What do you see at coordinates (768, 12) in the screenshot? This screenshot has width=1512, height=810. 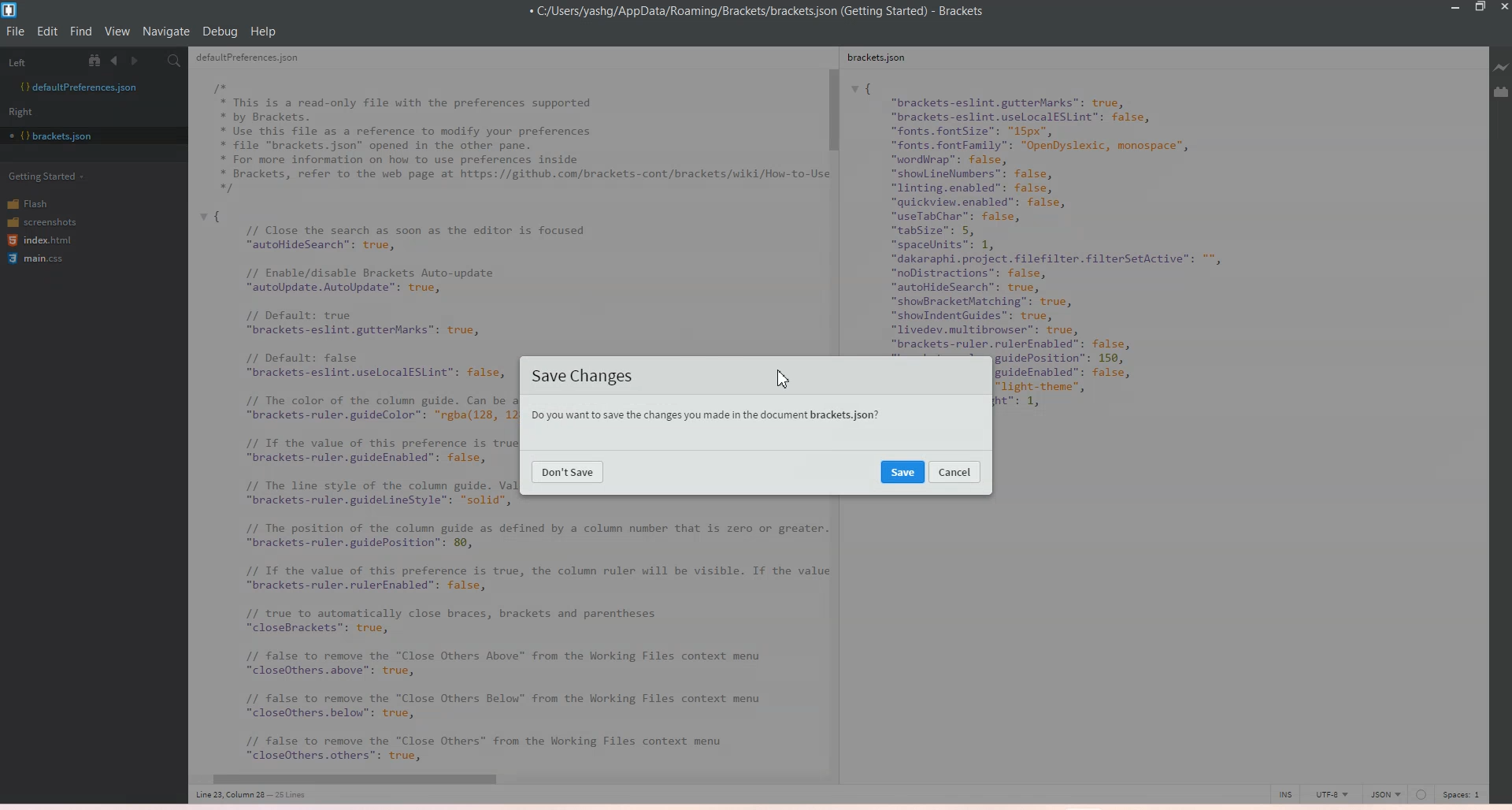 I see `C/Users/yashg/AppData/Roaming/Brackets/brackets json (Getting Started) - Brackets` at bounding box center [768, 12].